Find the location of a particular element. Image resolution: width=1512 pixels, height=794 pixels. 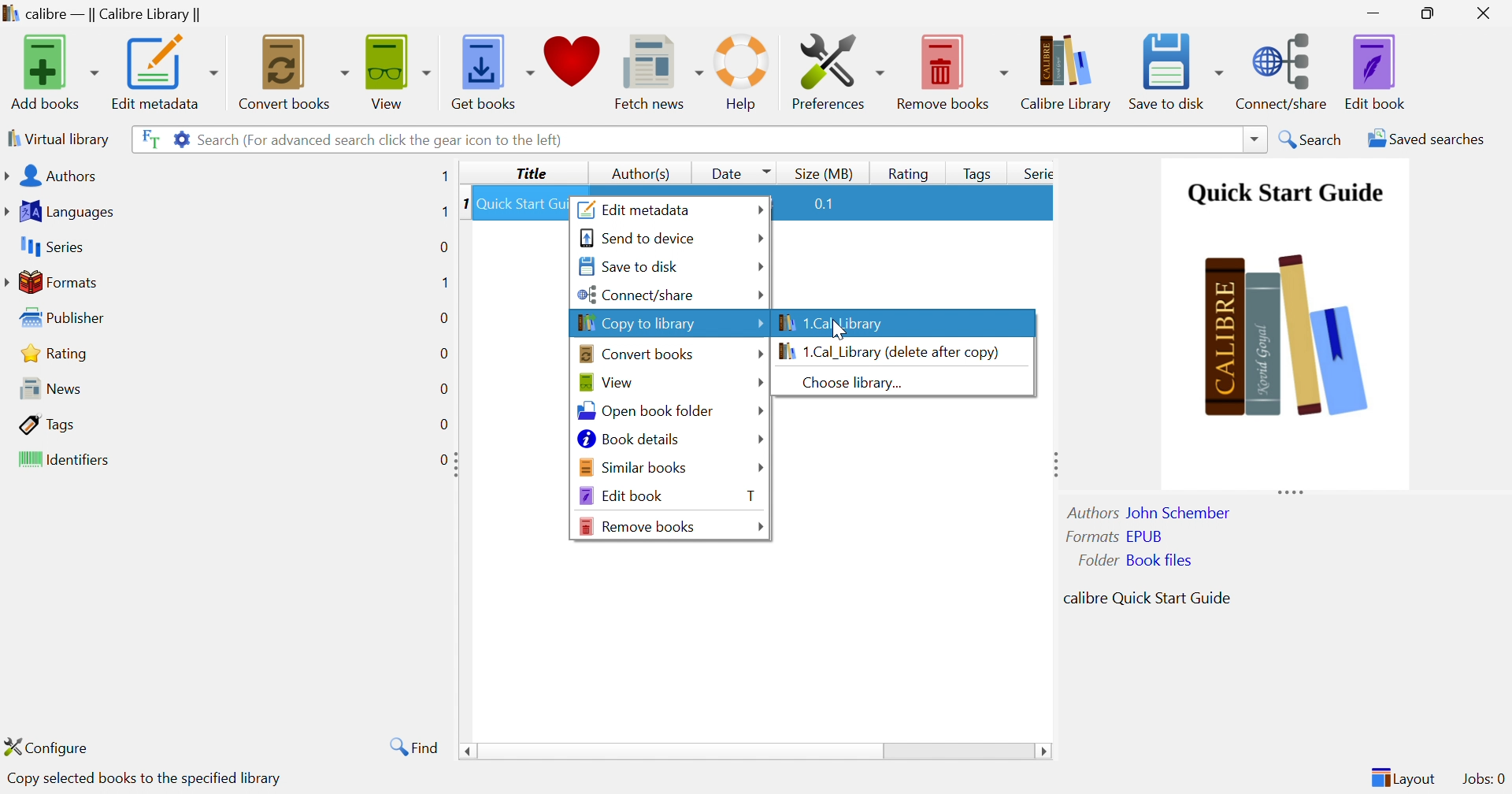

Edit metadata is located at coordinates (165, 72).